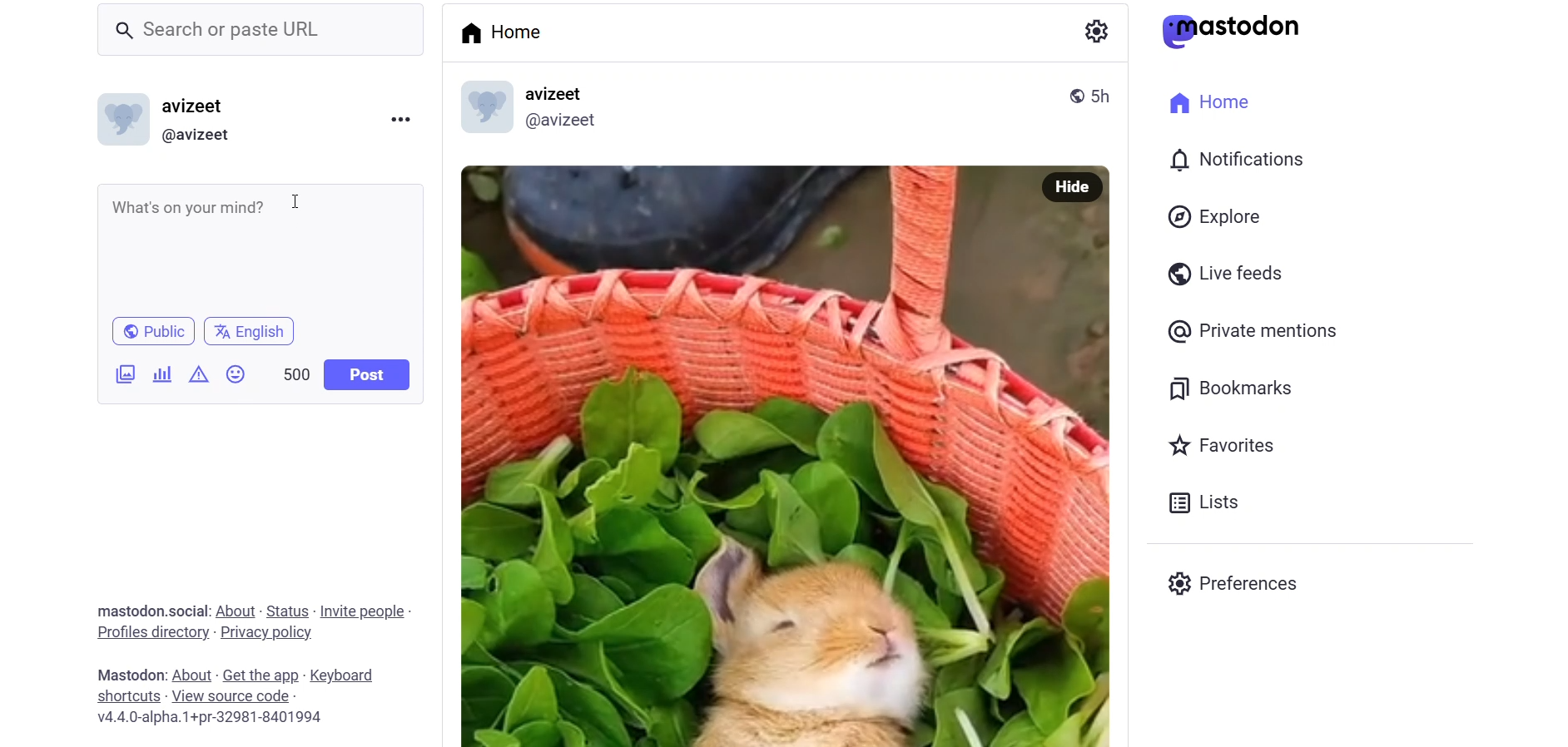  Describe the element at coordinates (1216, 216) in the screenshot. I see `explore` at that location.